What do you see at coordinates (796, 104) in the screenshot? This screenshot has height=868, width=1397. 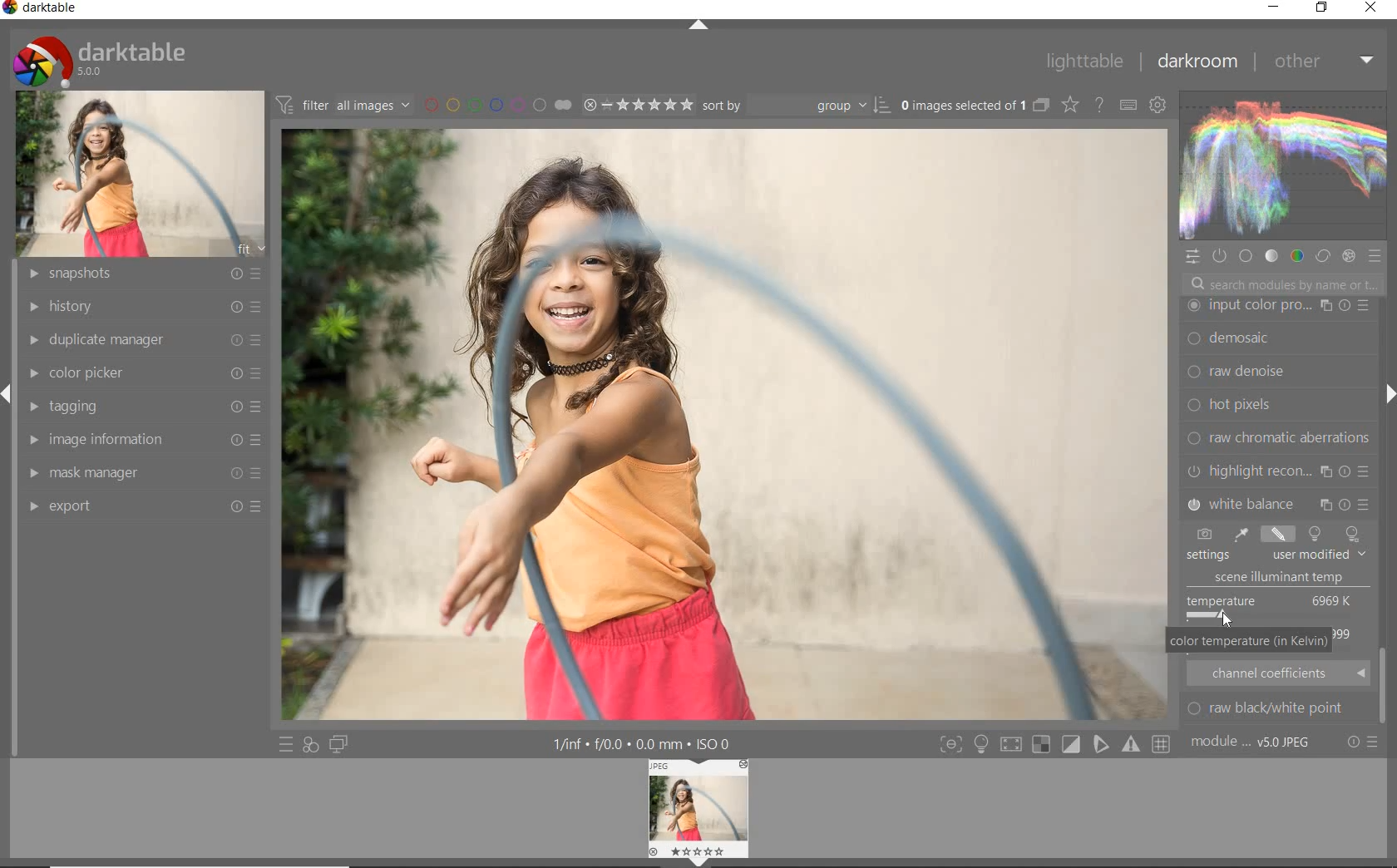 I see `sort` at bounding box center [796, 104].